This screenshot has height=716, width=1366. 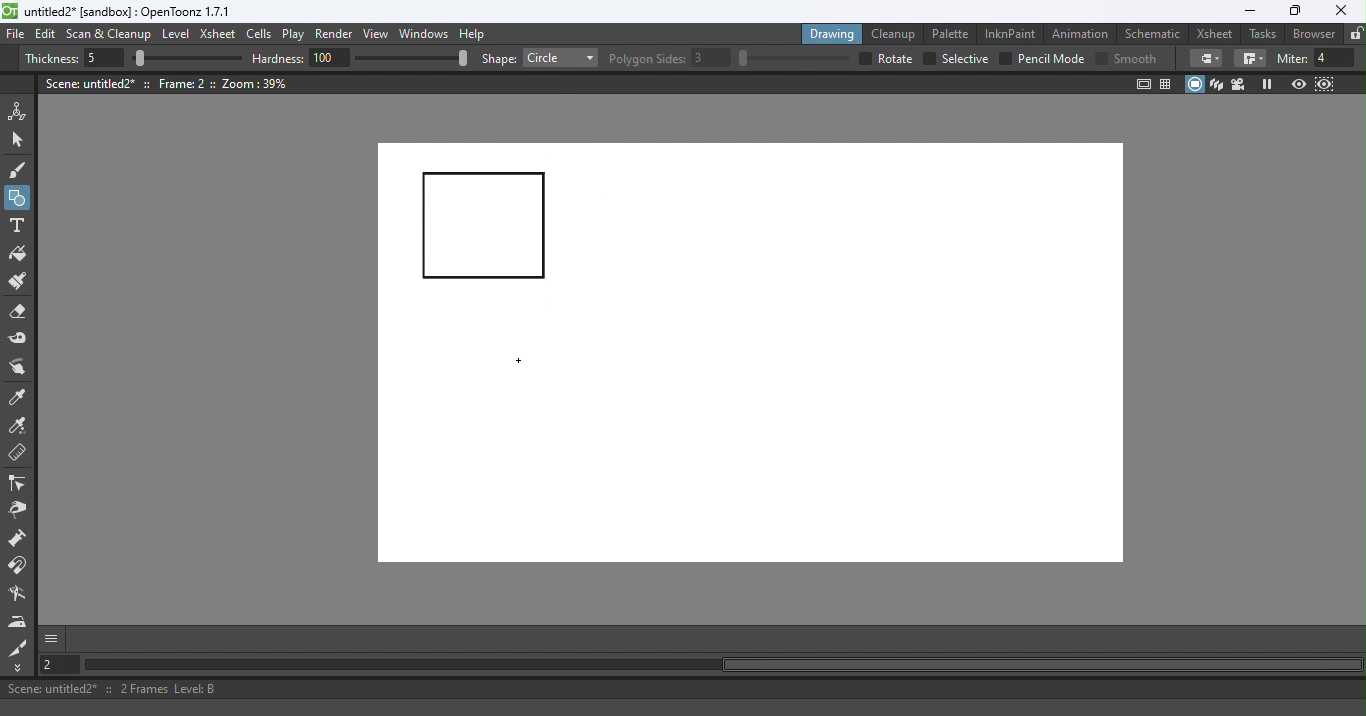 I want to click on Edit, so click(x=48, y=34).